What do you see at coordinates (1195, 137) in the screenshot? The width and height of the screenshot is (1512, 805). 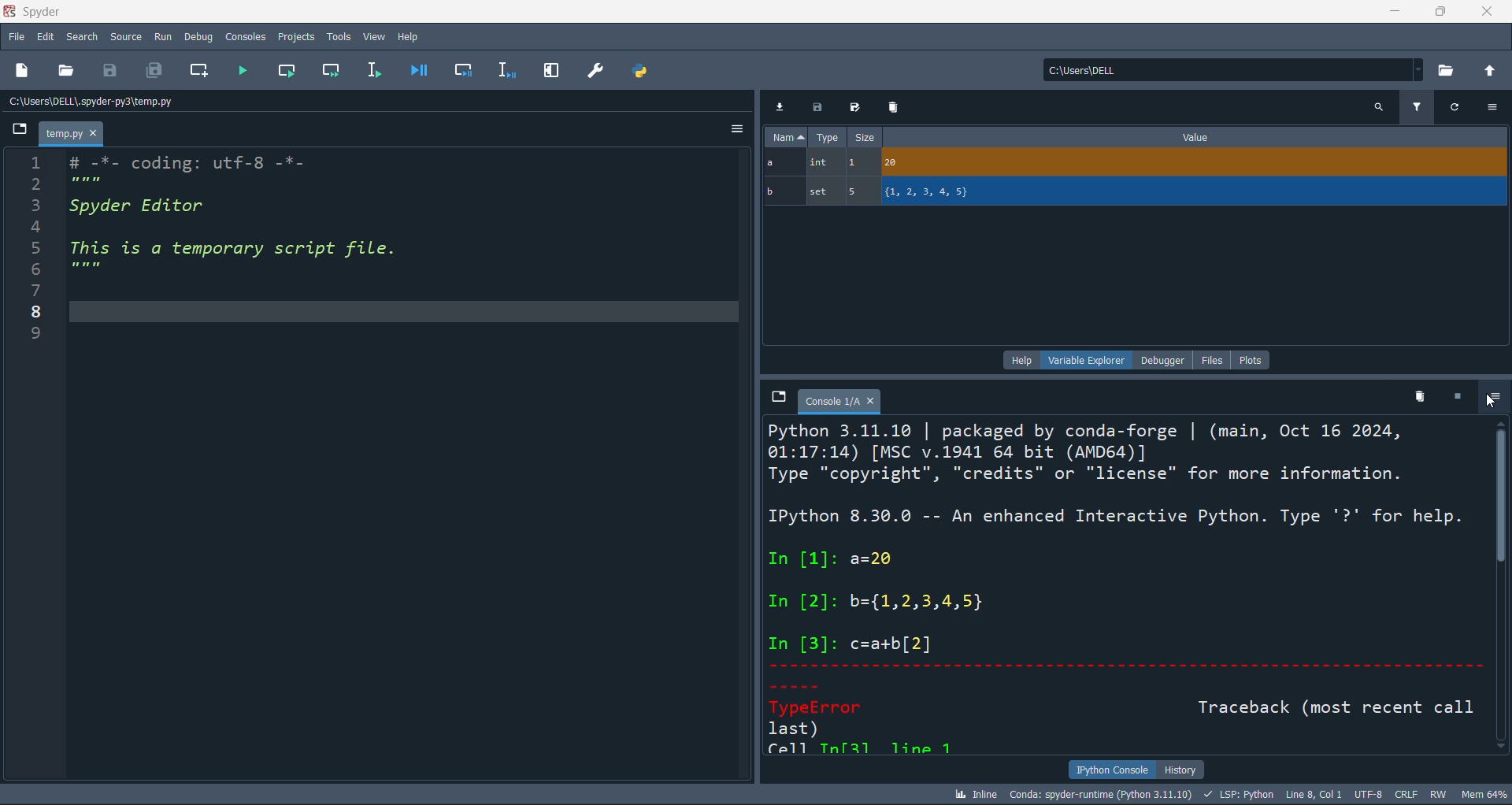 I see `value` at bounding box center [1195, 137].